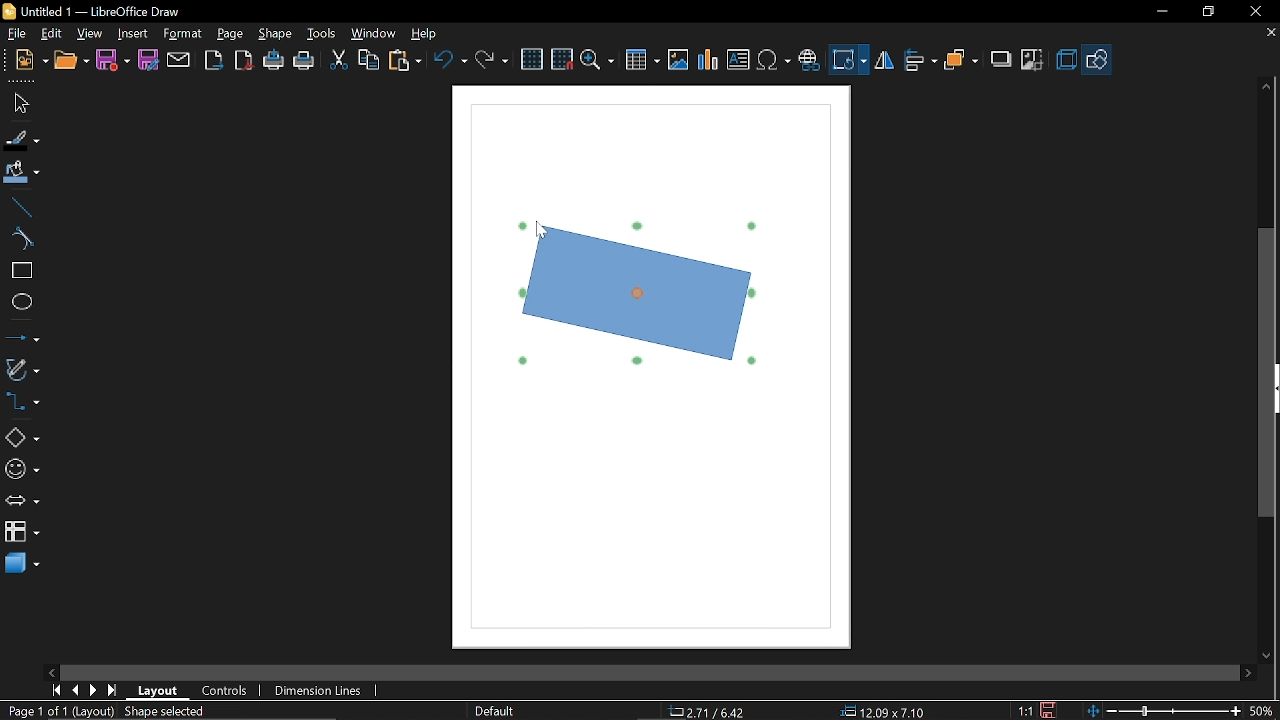  What do you see at coordinates (876, 712) in the screenshot?
I see `0.00x0.00` at bounding box center [876, 712].